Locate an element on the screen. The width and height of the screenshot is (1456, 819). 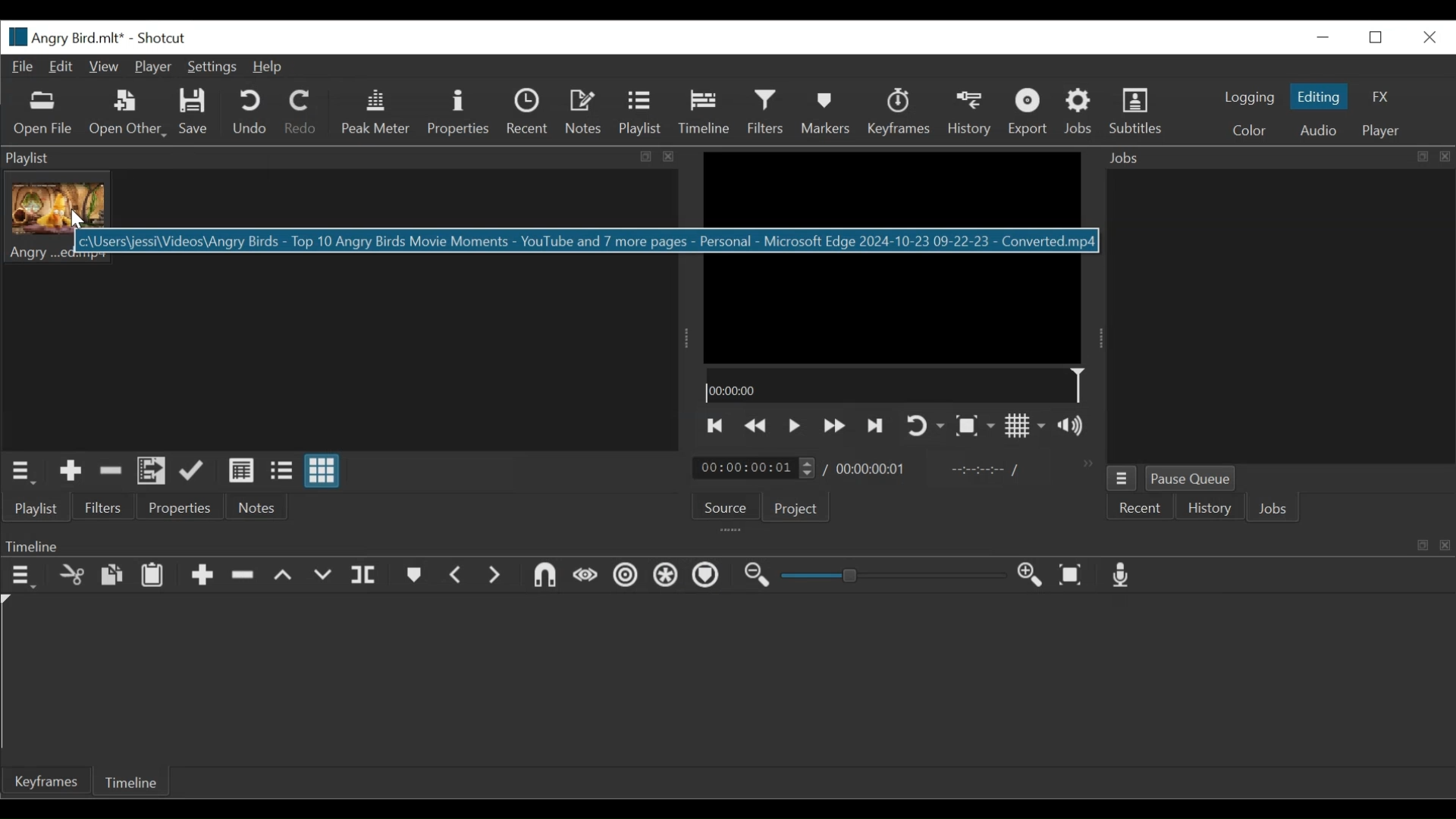
Overwrite is located at coordinates (324, 577).